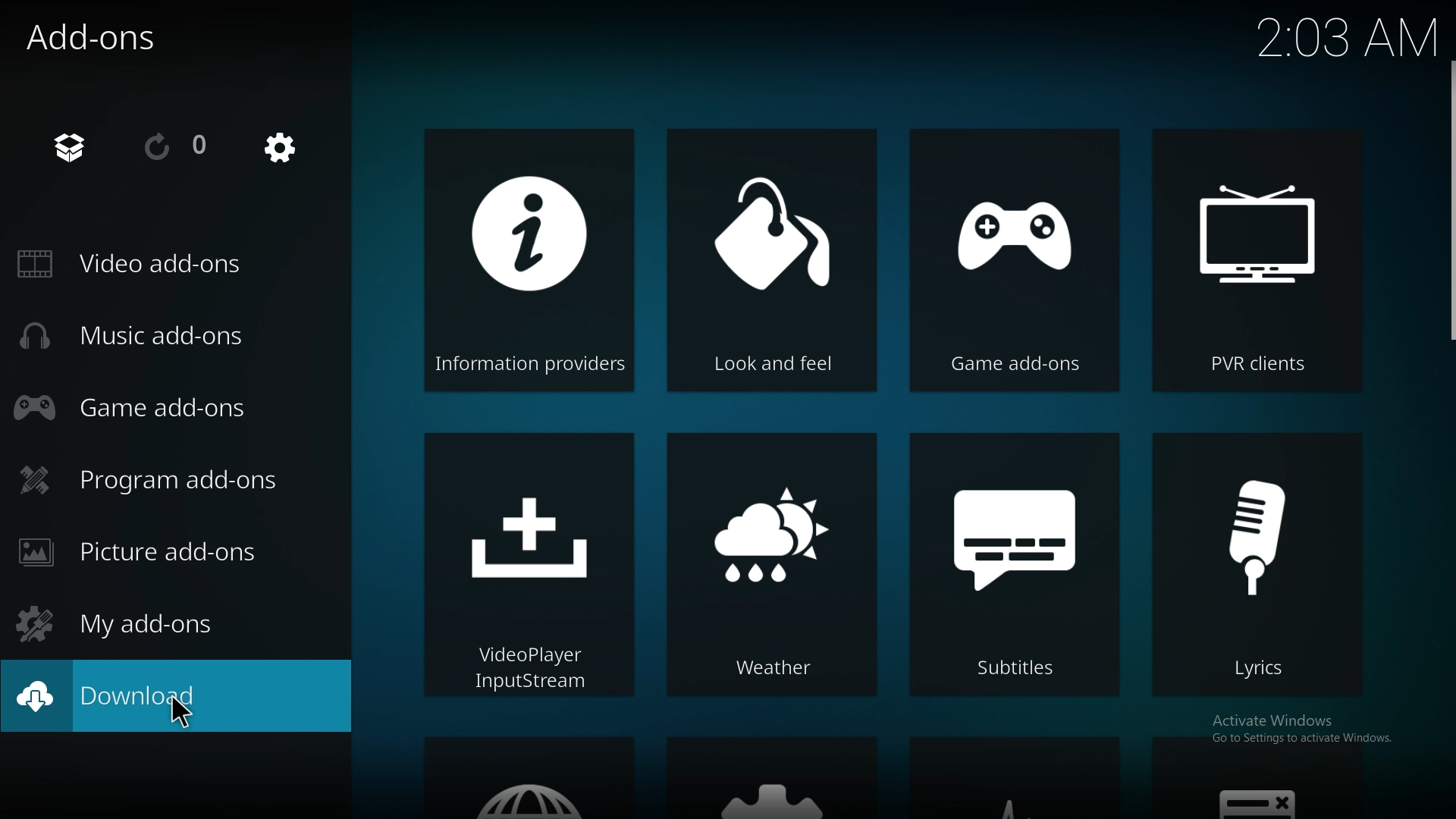 Image resolution: width=1456 pixels, height=819 pixels. I want to click on sub titles, so click(1011, 565).